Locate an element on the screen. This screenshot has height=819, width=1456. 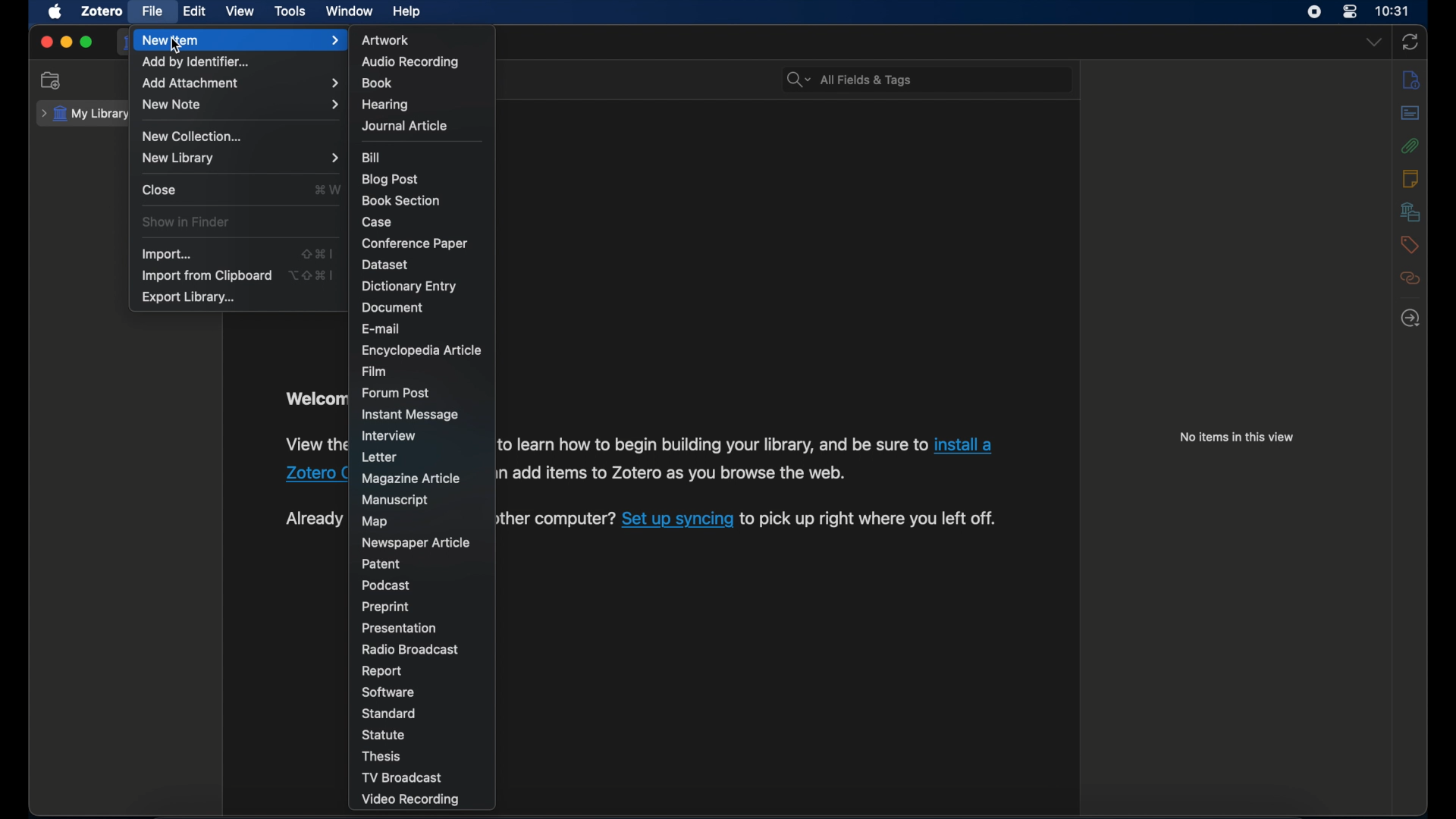
newspaper article is located at coordinates (418, 543).